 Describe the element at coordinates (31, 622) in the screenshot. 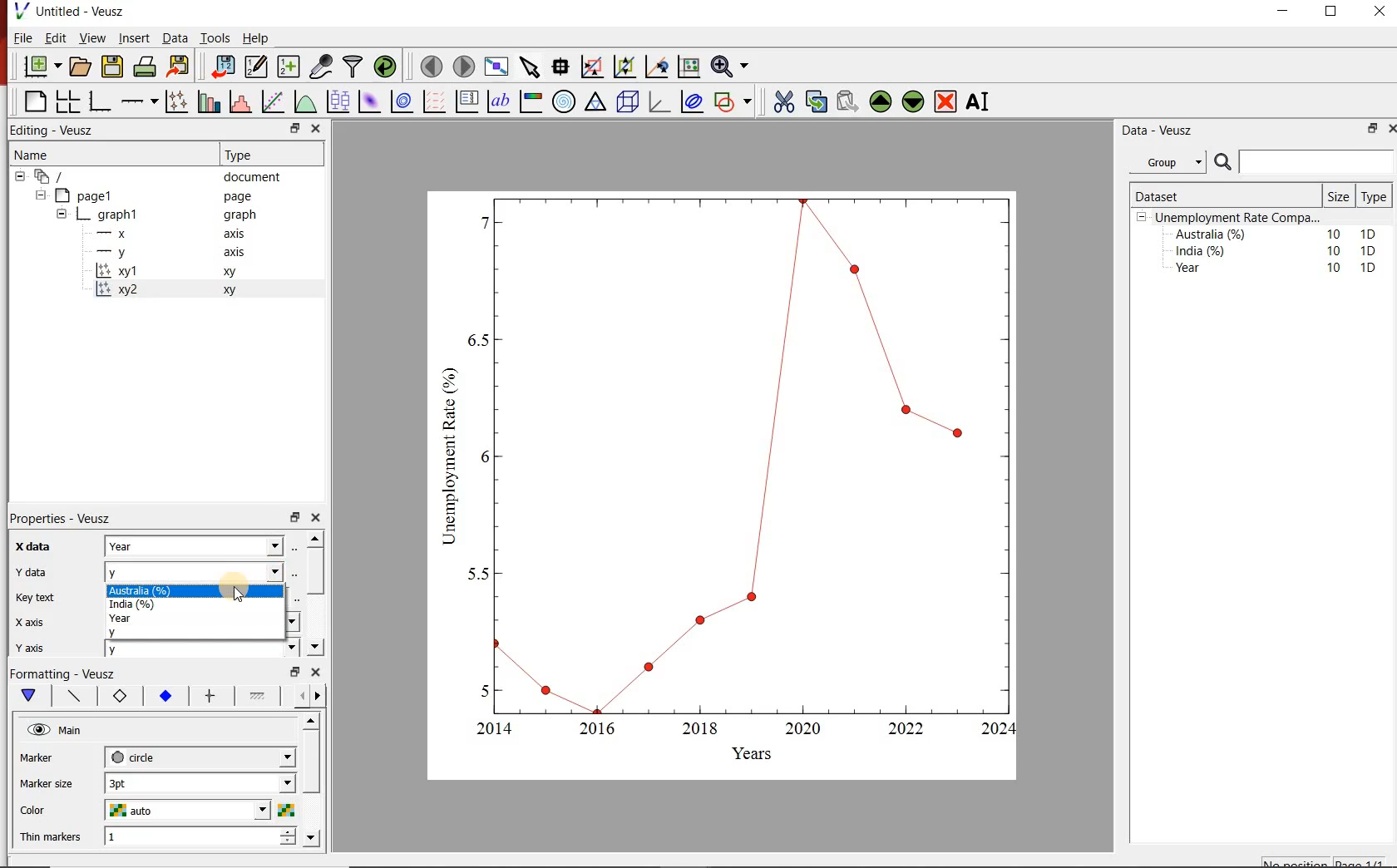

I see `x axis` at that location.